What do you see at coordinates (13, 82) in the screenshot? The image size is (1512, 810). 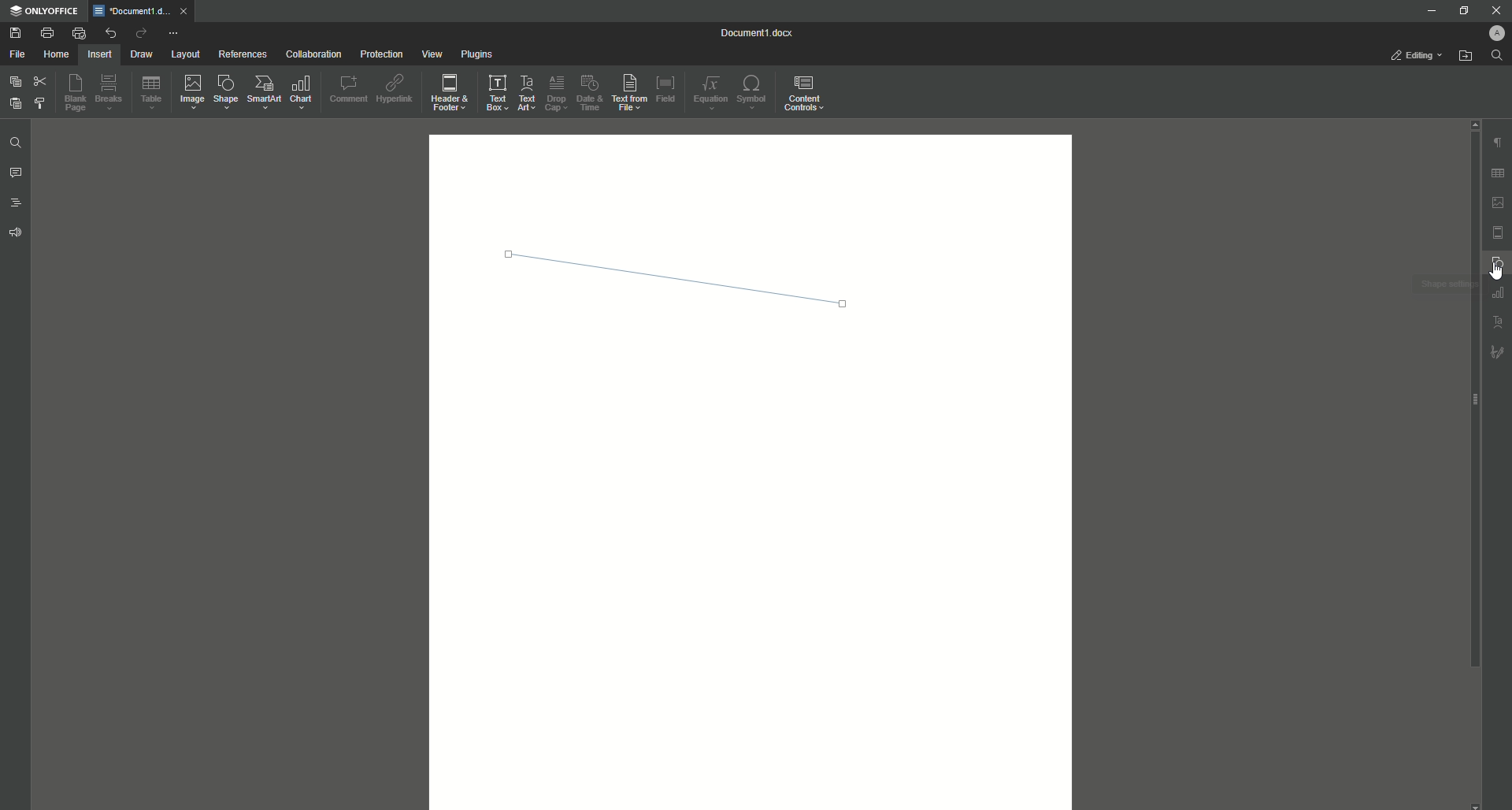 I see `Copy` at bounding box center [13, 82].